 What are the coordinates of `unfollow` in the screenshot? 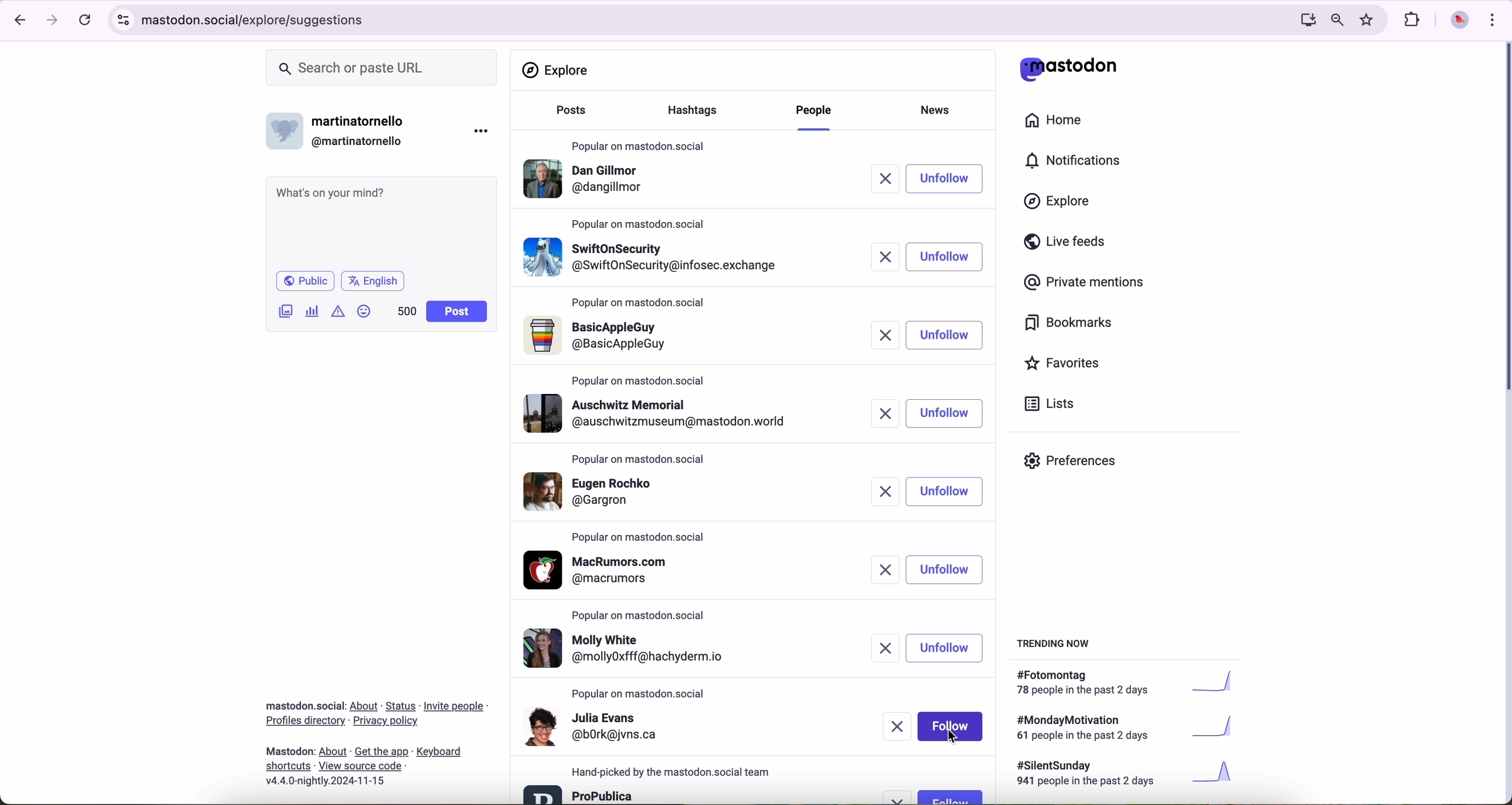 It's located at (947, 492).